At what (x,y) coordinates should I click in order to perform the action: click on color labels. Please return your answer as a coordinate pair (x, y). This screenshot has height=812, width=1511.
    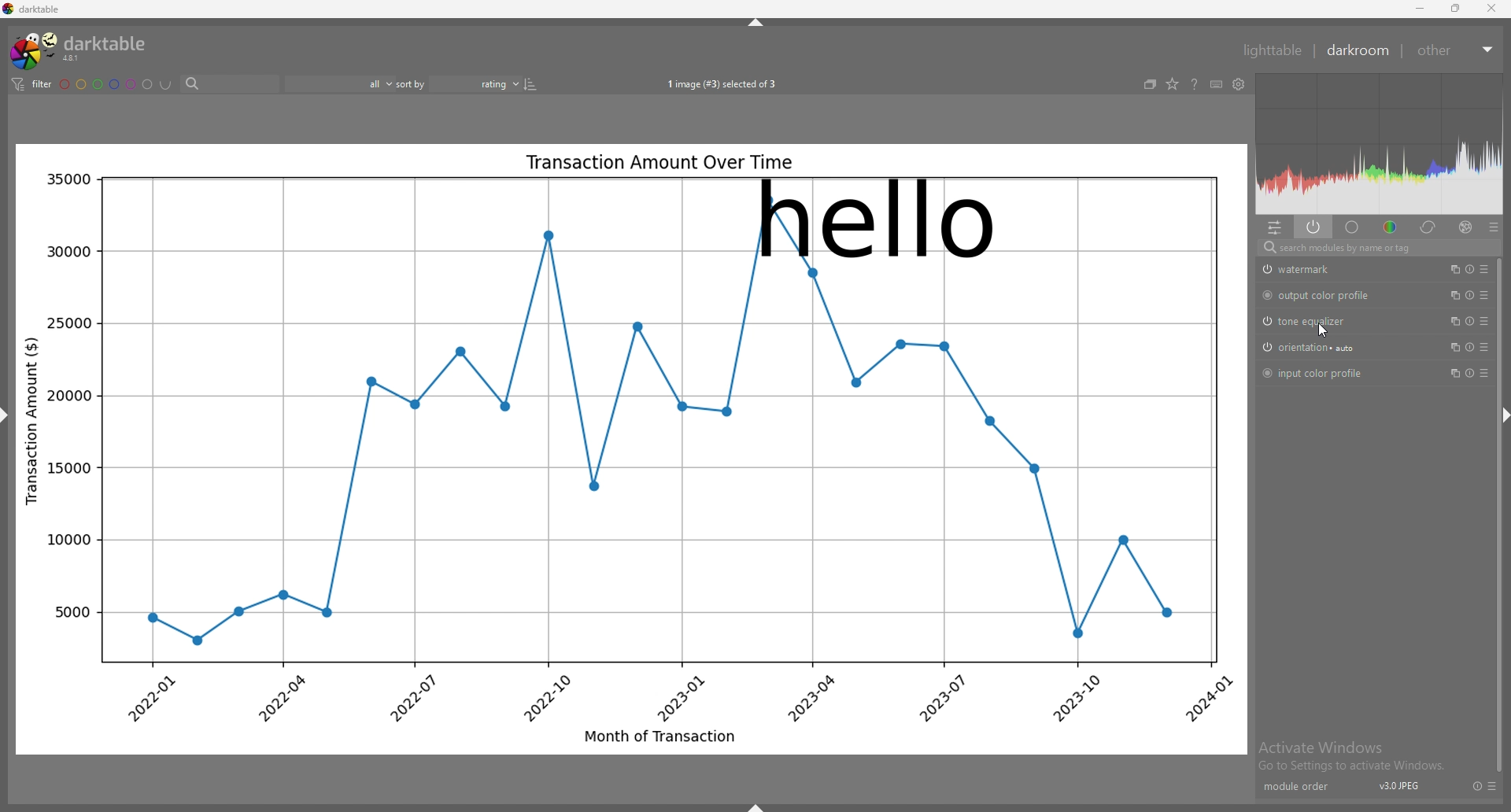
    Looking at the image, I should click on (105, 85).